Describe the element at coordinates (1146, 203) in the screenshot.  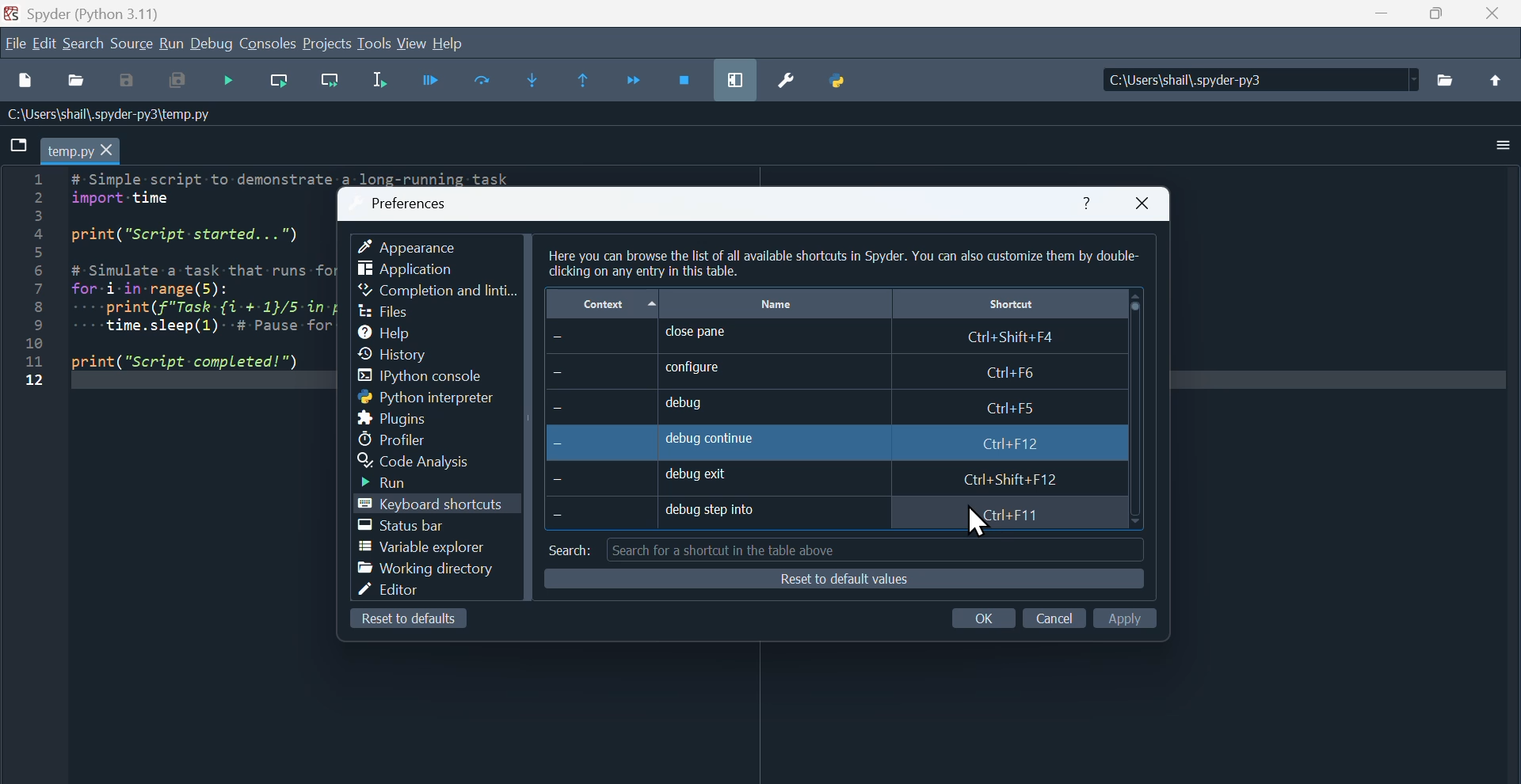
I see `Close` at that location.